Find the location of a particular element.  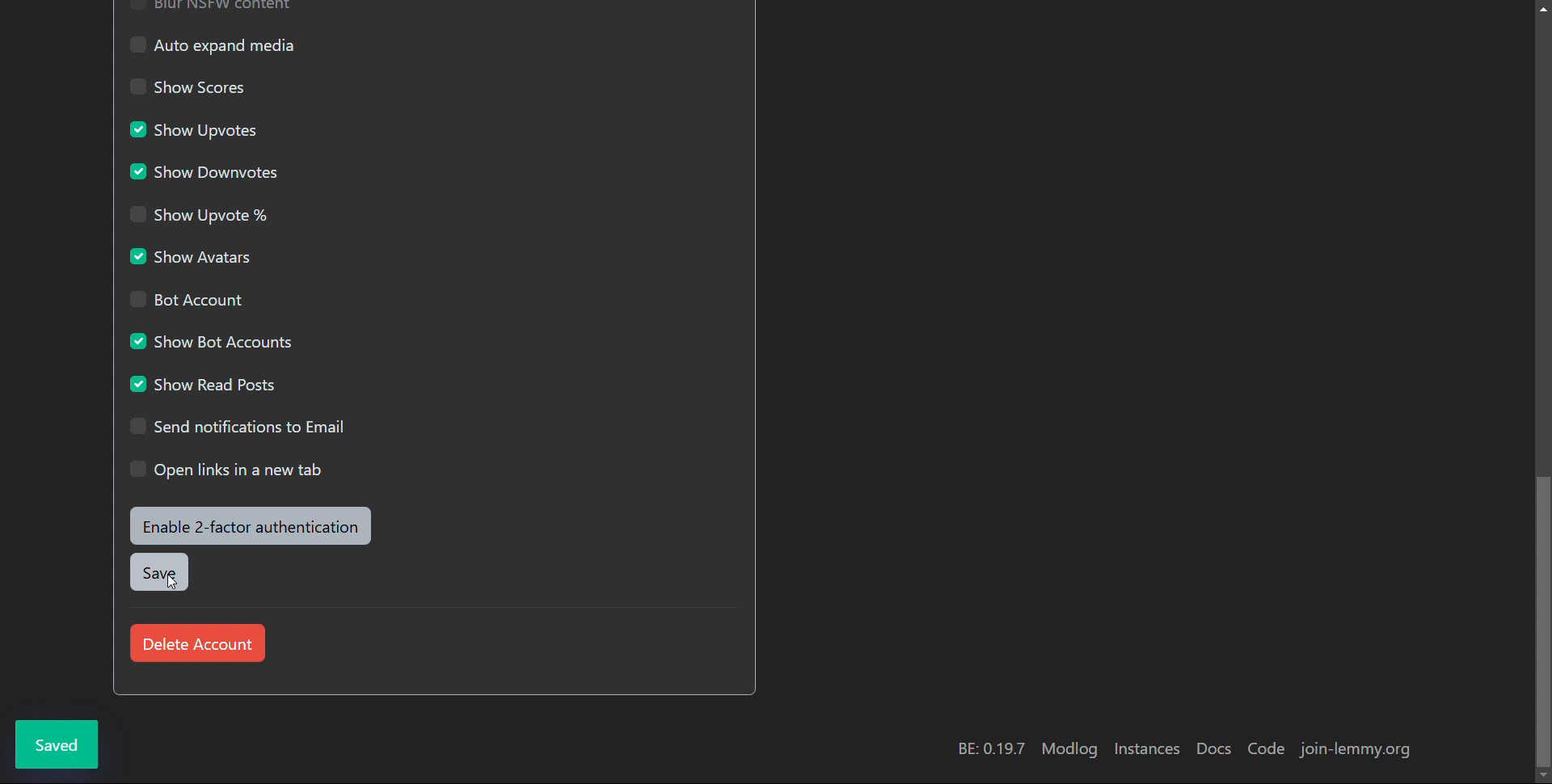

show avatars is located at coordinates (193, 256).